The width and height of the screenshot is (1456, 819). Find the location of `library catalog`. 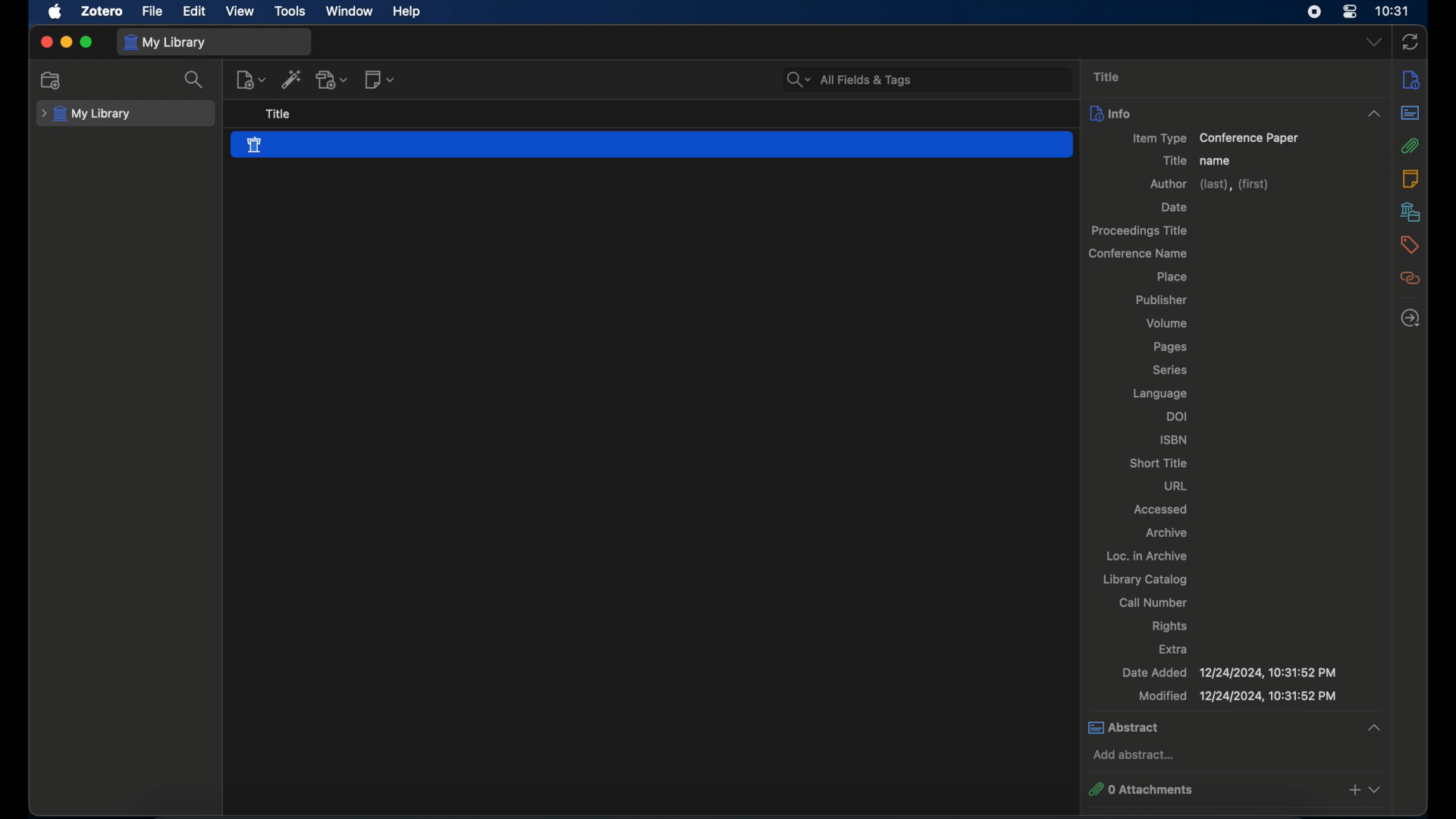

library catalog is located at coordinates (1146, 579).